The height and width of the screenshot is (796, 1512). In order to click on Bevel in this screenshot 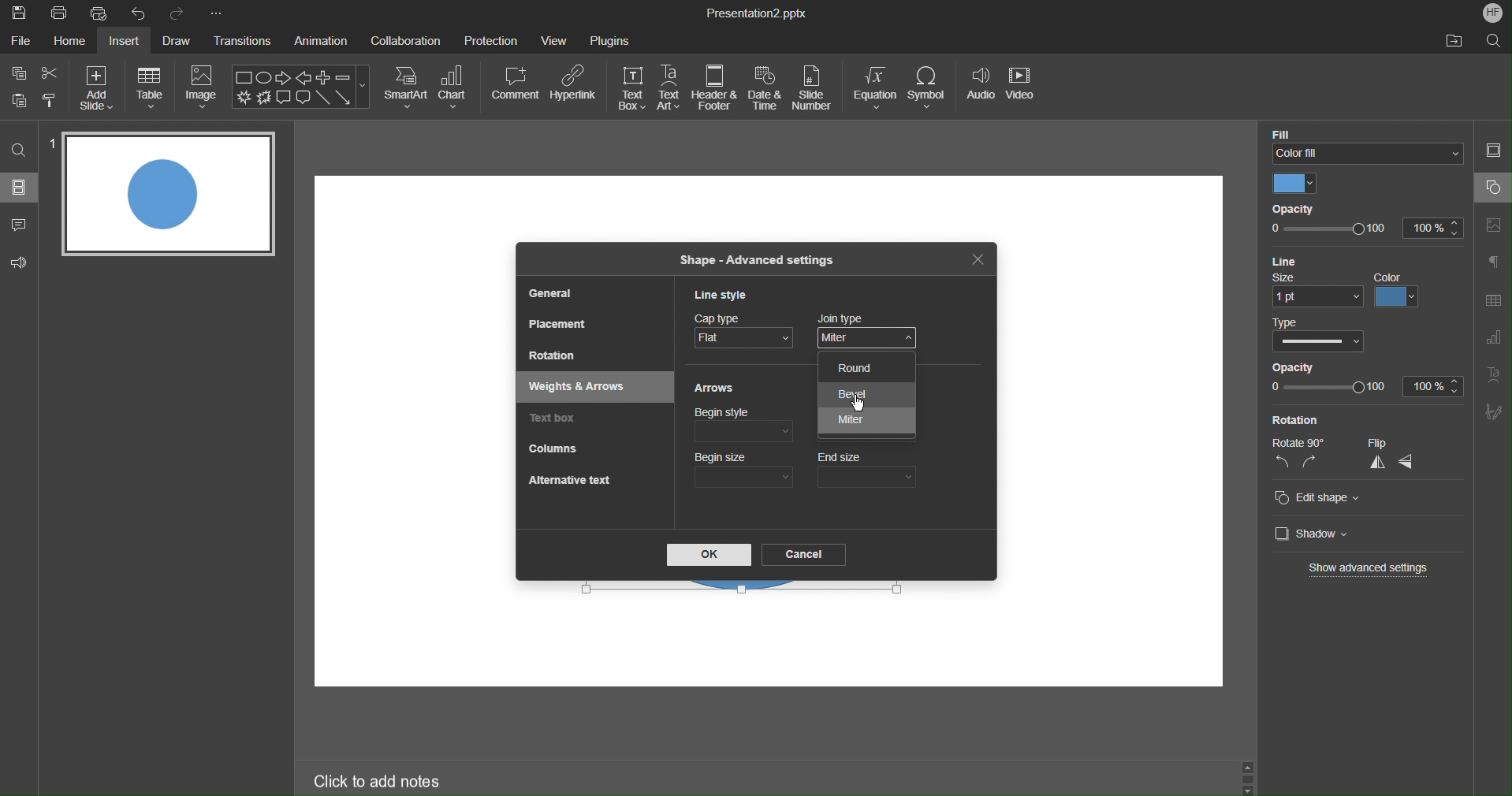, I will do `click(866, 393)`.